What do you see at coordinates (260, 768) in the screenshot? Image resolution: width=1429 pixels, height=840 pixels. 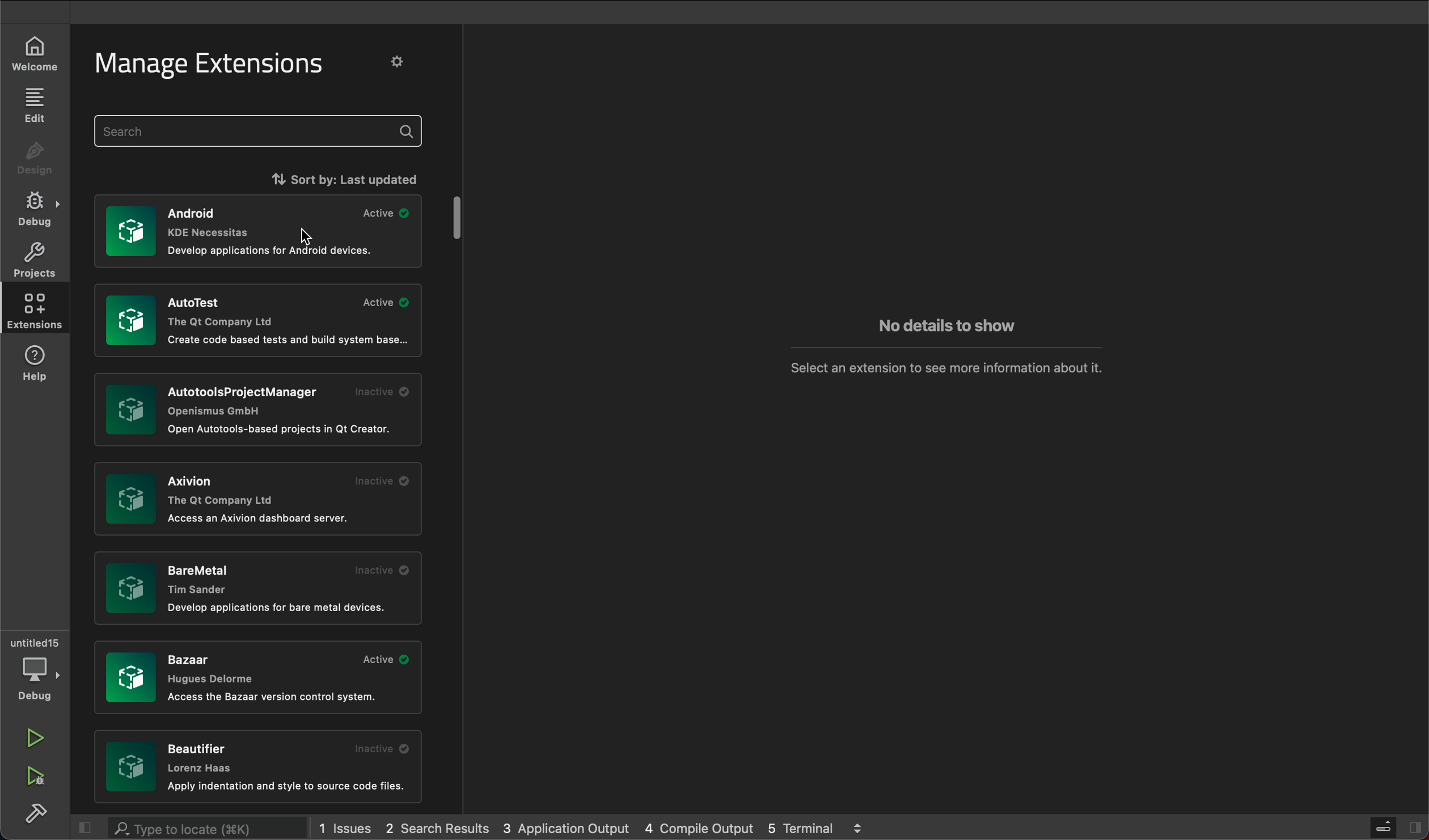 I see `extensions list` at bounding box center [260, 768].